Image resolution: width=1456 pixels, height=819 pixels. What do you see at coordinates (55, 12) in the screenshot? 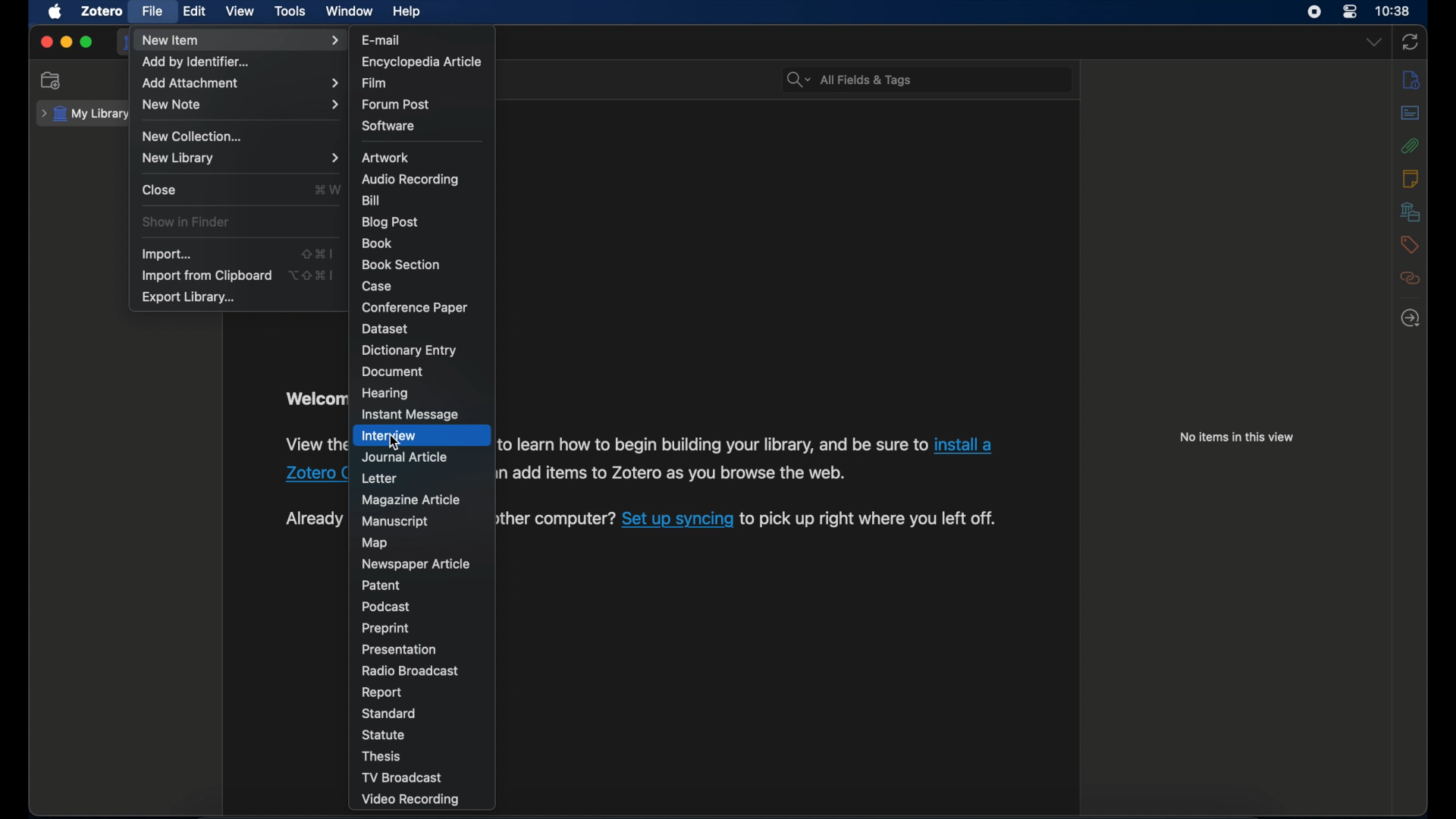
I see `apple` at bounding box center [55, 12].